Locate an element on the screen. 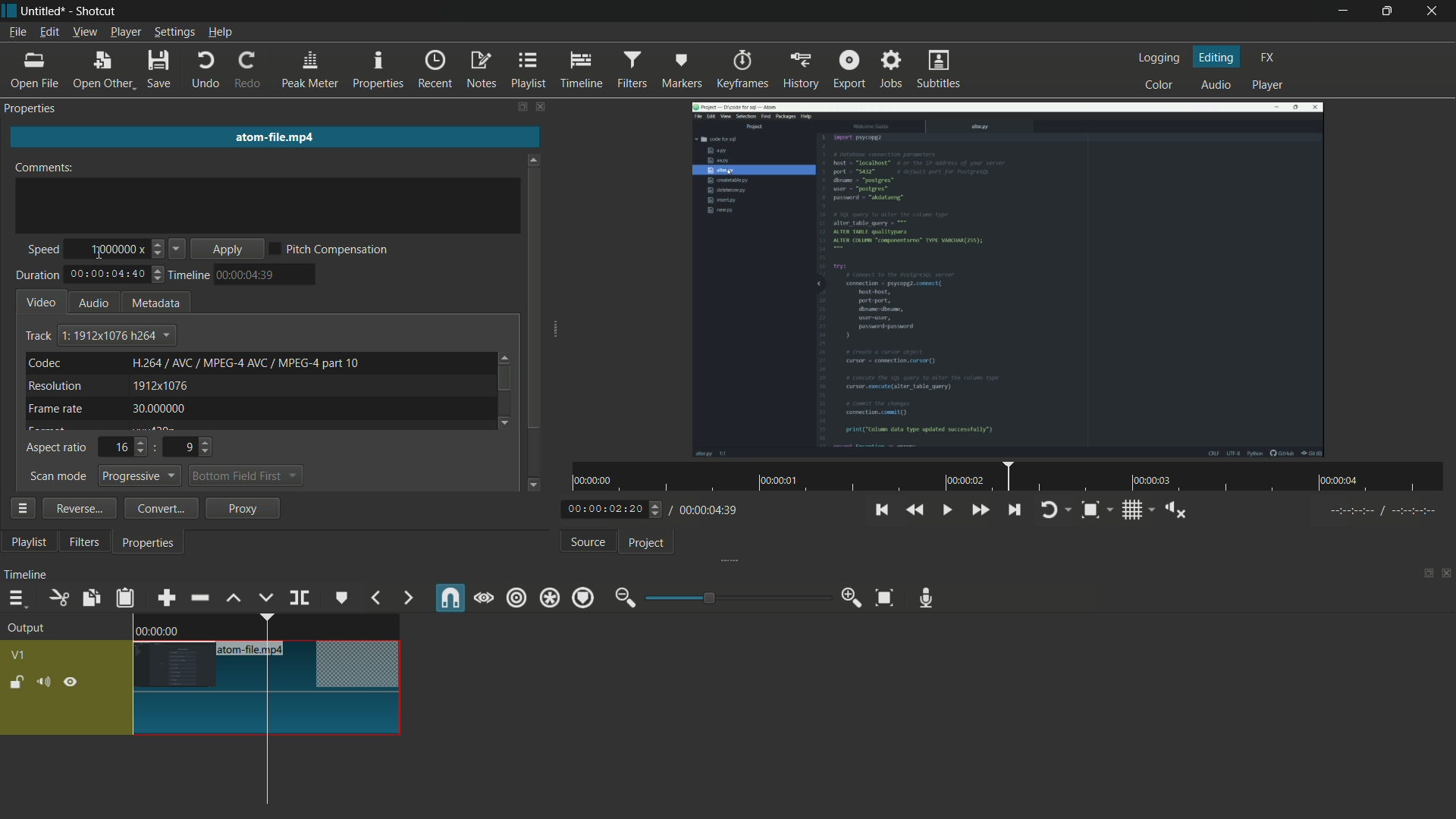  lift is located at coordinates (236, 599).